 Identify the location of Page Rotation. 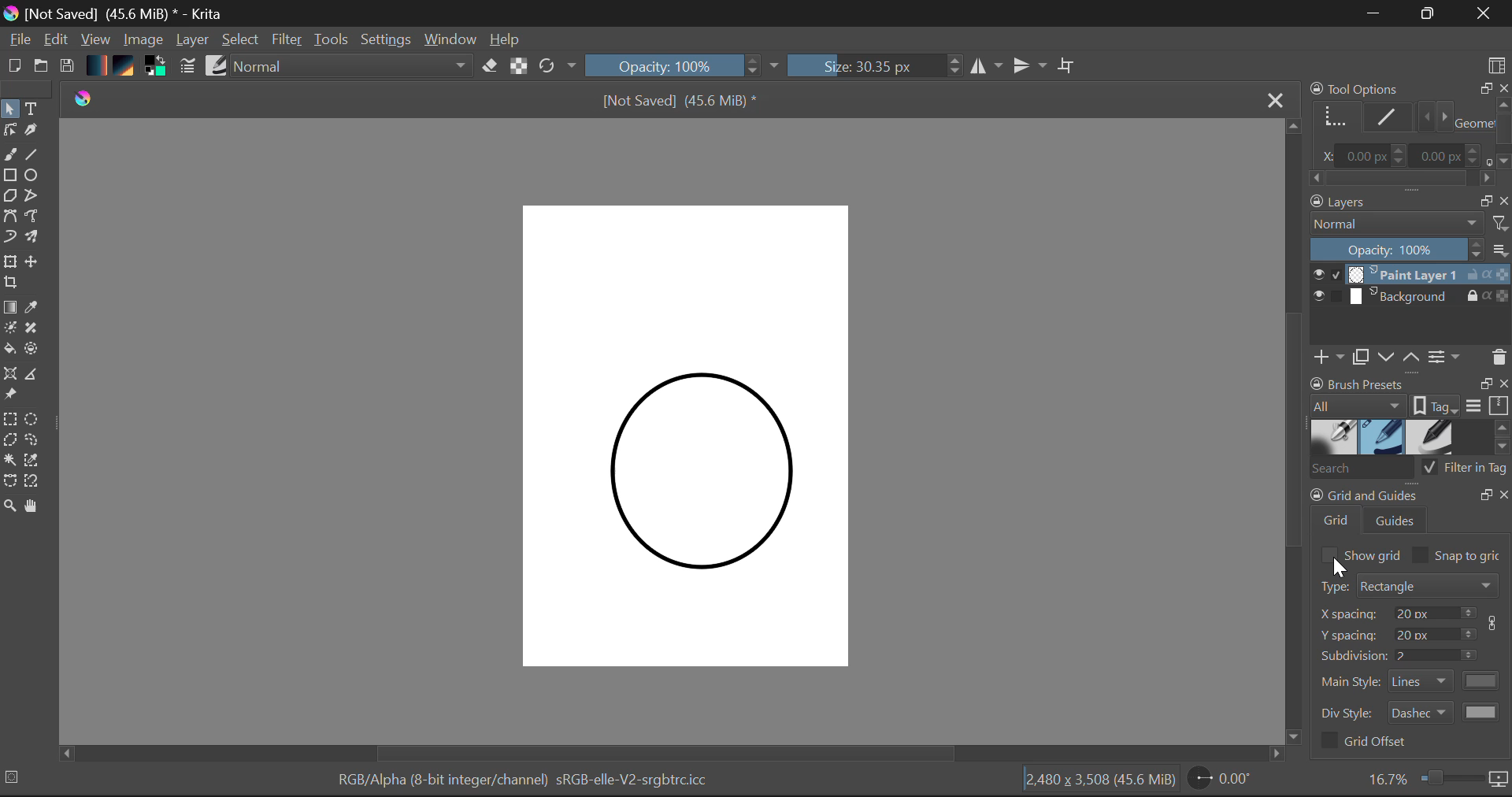
(1225, 781).